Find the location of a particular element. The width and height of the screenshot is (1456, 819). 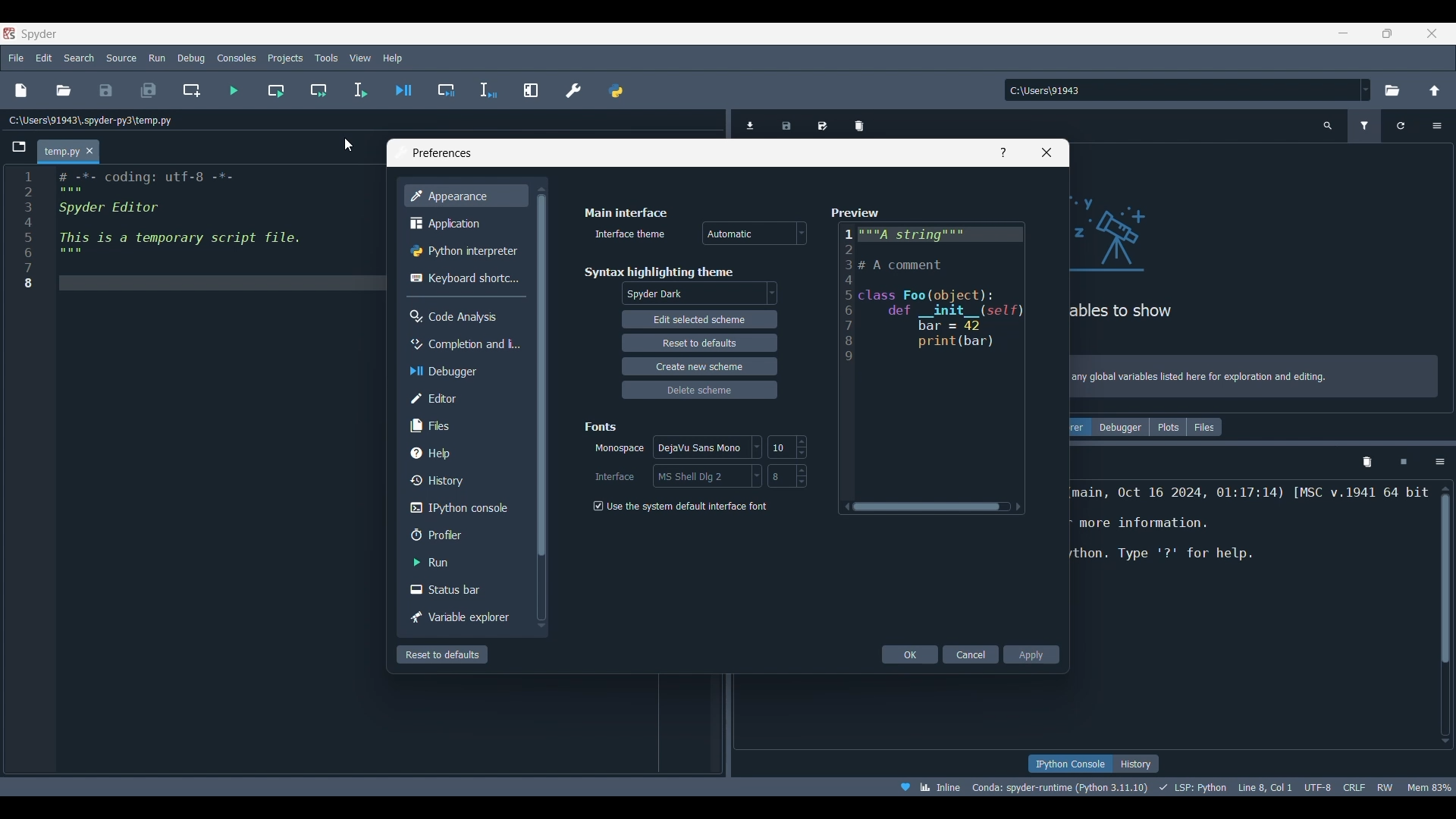

Edit selected scheme. is located at coordinates (694, 320).